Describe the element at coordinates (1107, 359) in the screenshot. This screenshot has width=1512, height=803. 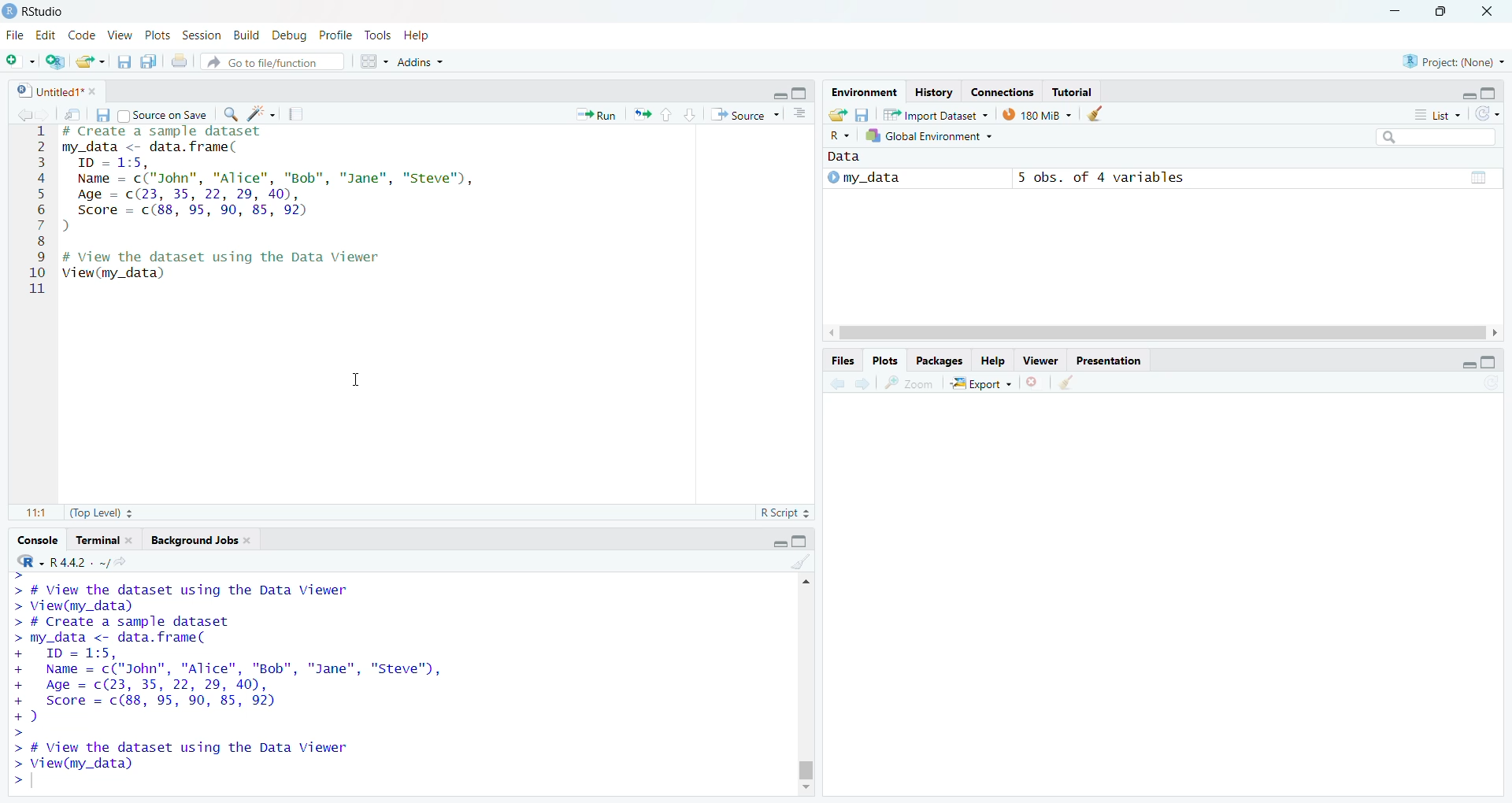
I see `Presentation` at that location.